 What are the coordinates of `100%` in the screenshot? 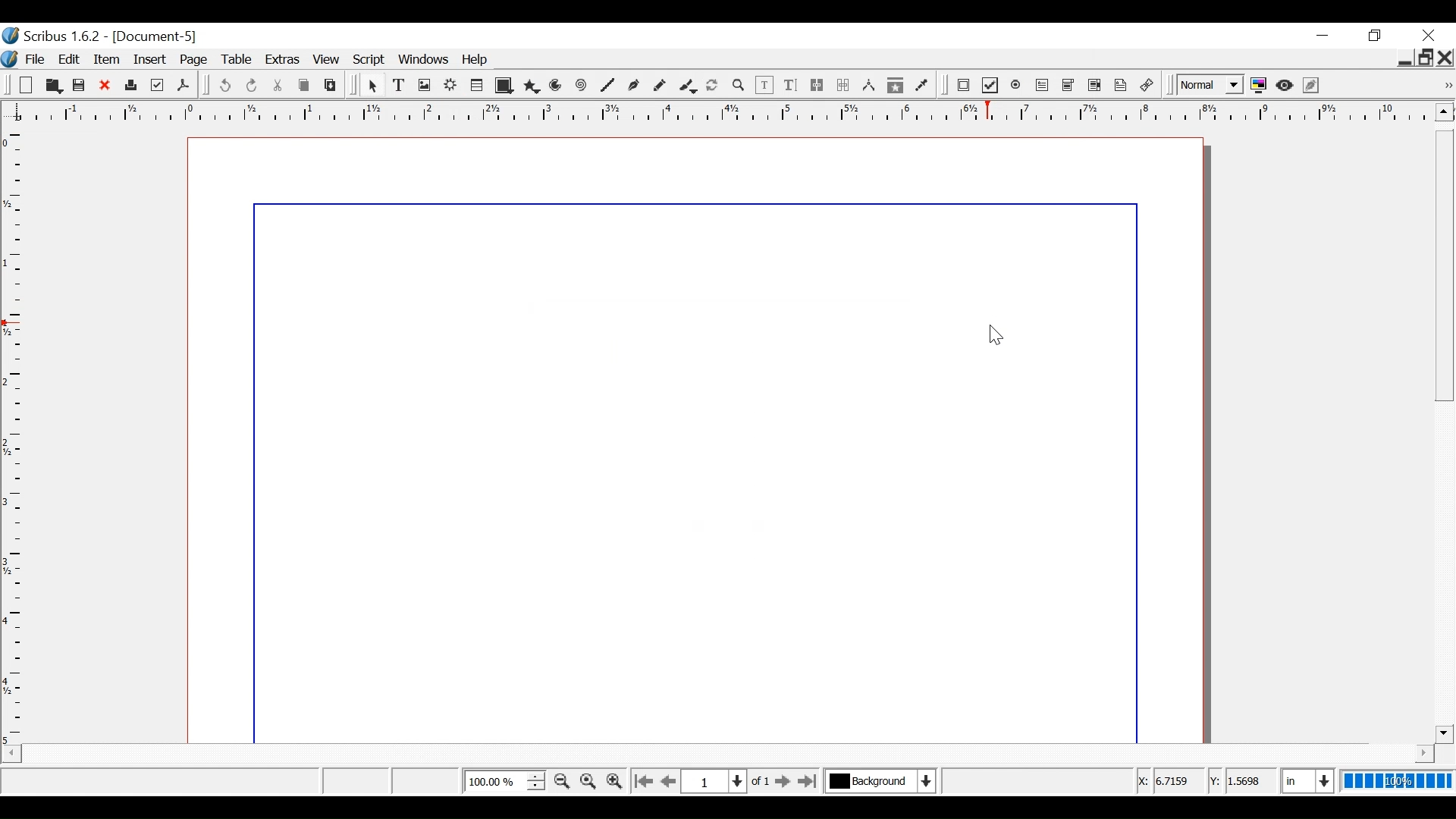 It's located at (1398, 780).